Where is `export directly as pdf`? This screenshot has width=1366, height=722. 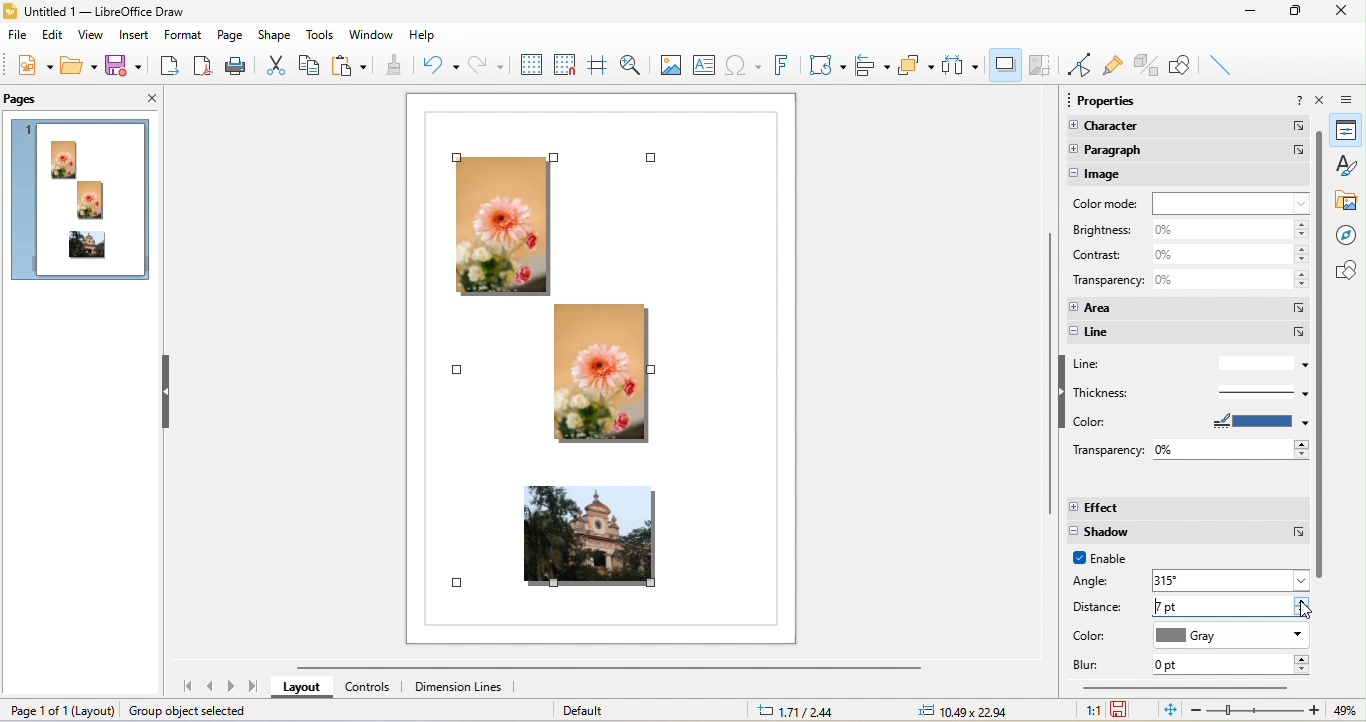 export directly as pdf is located at coordinates (202, 67).